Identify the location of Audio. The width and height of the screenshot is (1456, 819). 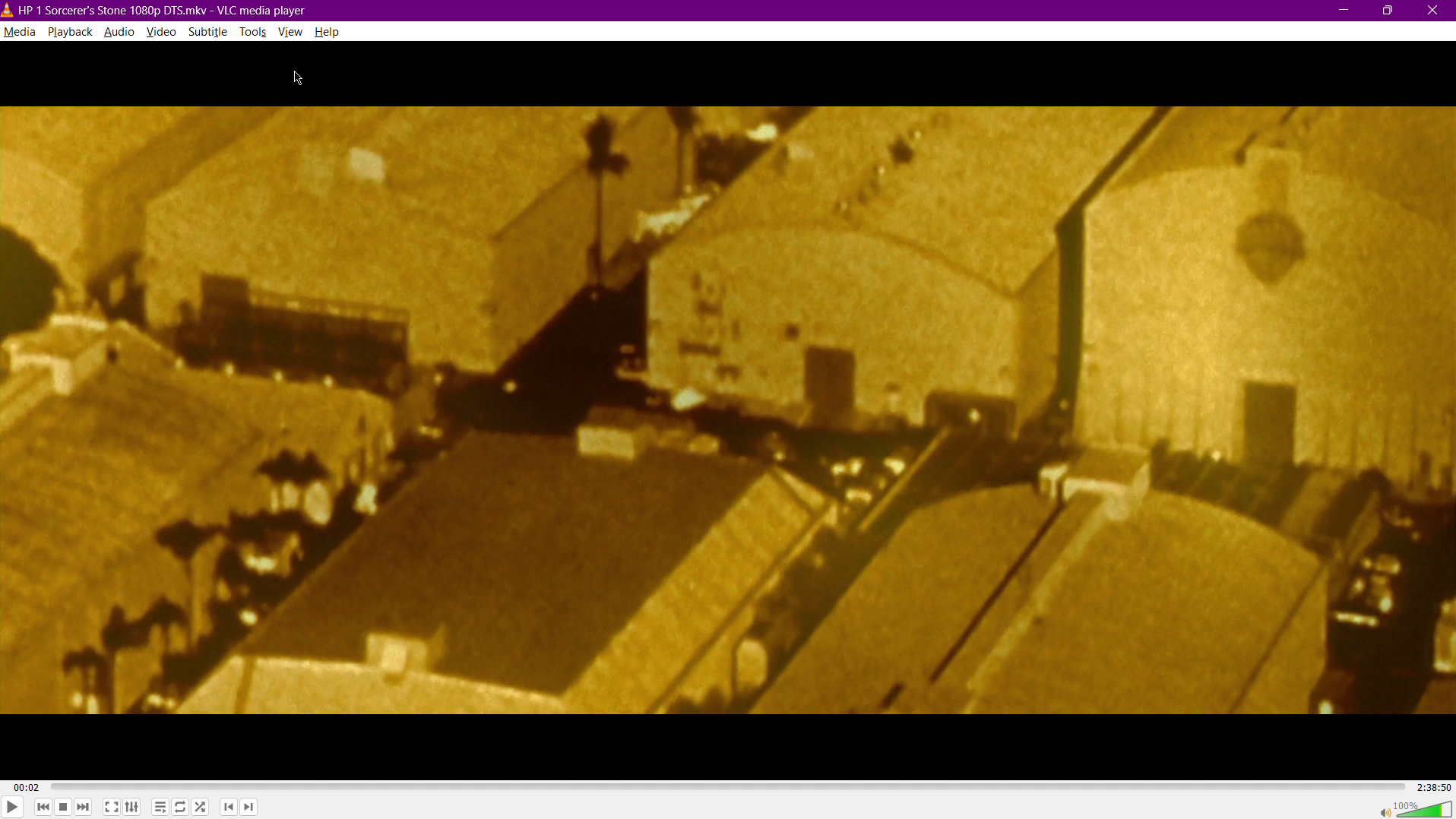
(119, 33).